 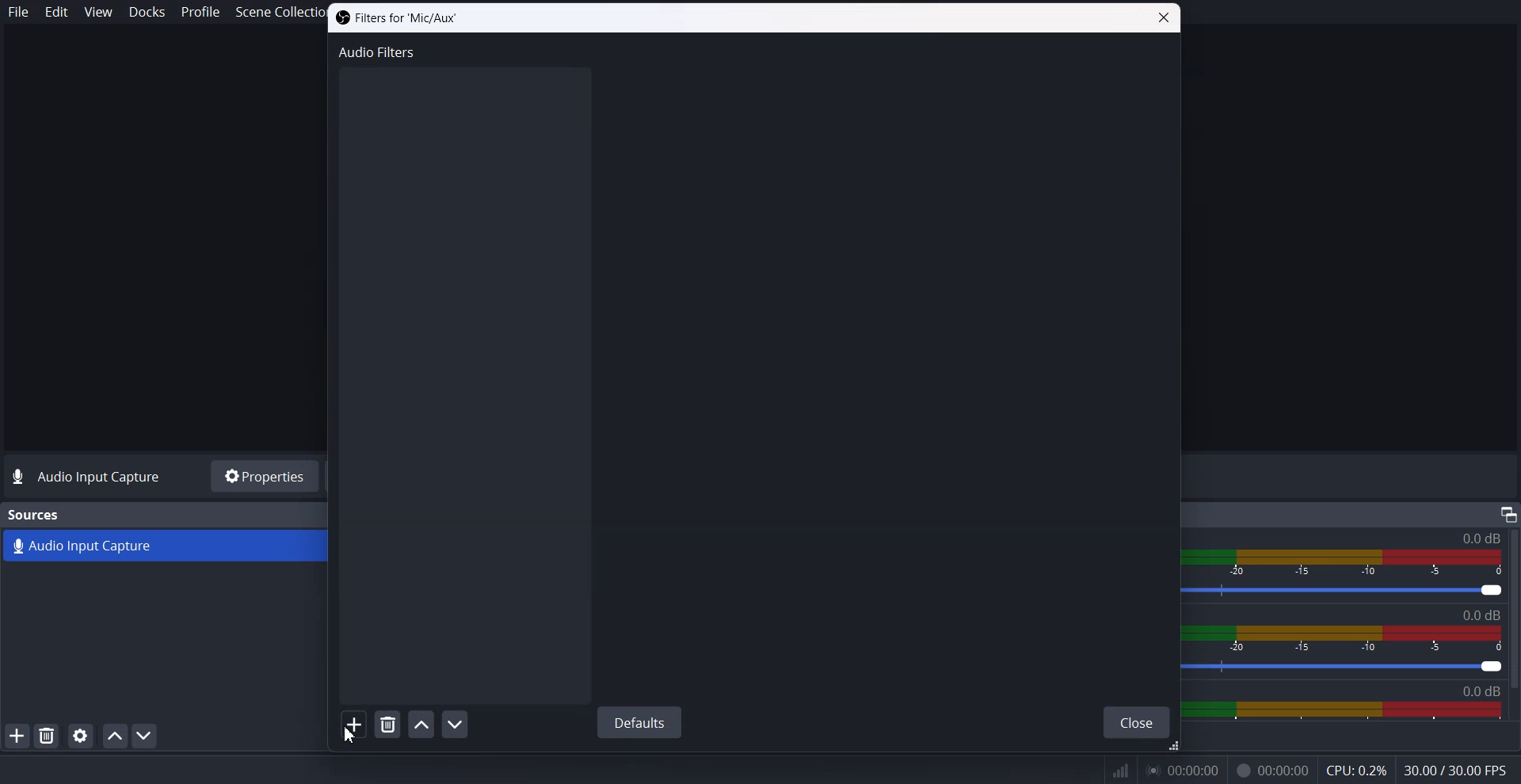 What do you see at coordinates (200, 12) in the screenshot?
I see `Profile` at bounding box center [200, 12].